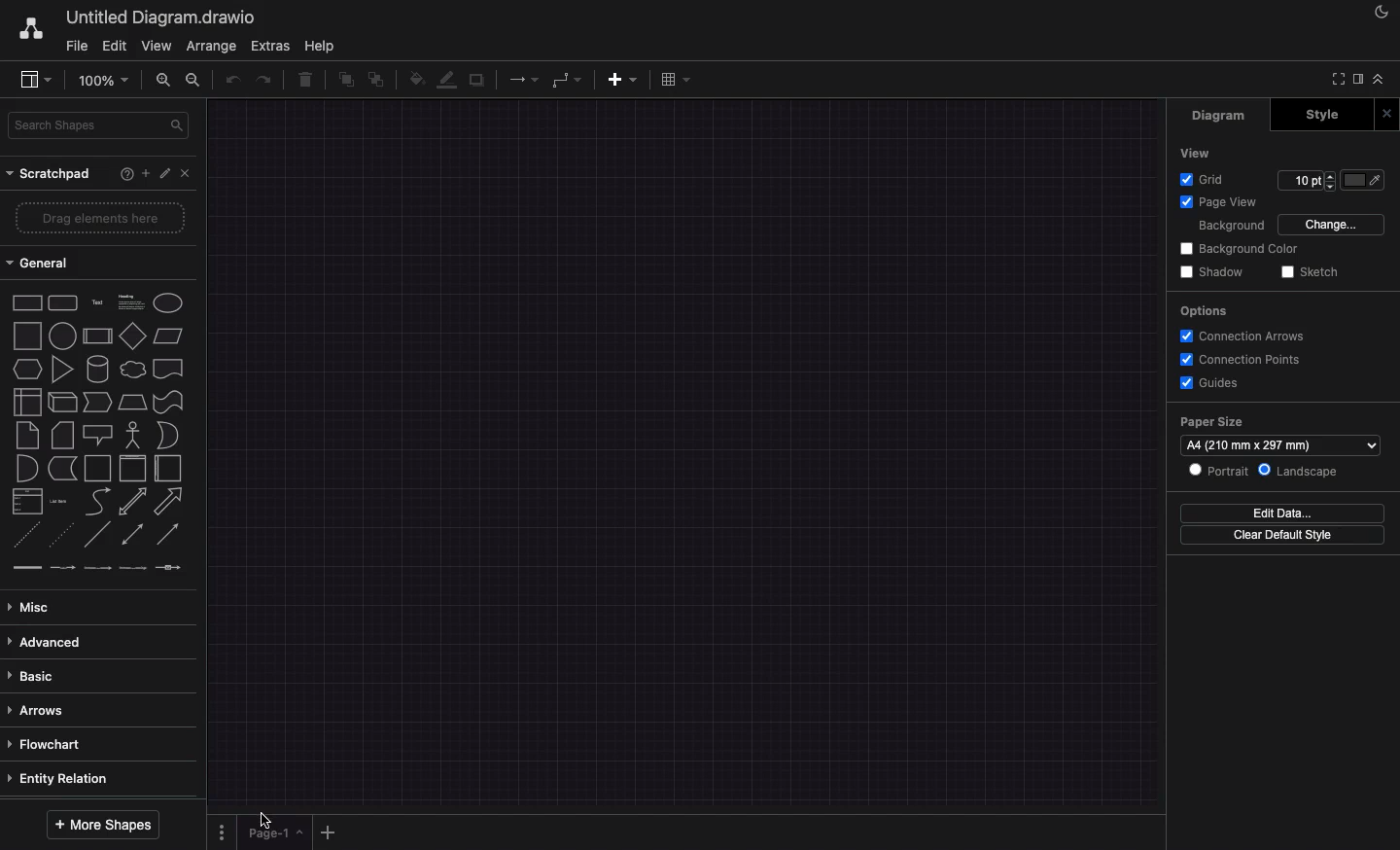 This screenshot has height=850, width=1400. Describe the element at coordinates (57, 501) in the screenshot. I see `list item` at that location.